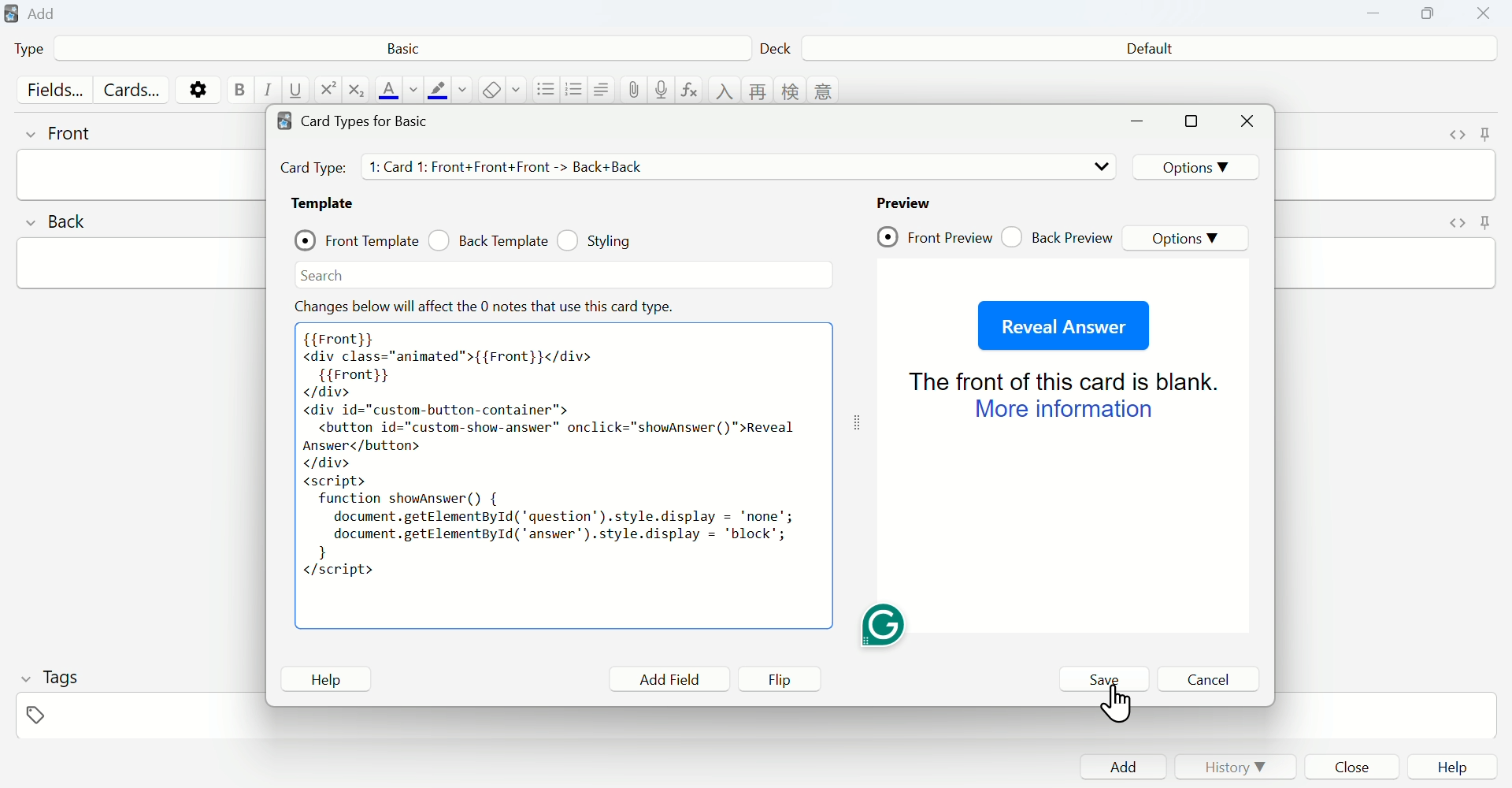 The image size is (1512, 788). I want to click on underline text, so click(296, 90).